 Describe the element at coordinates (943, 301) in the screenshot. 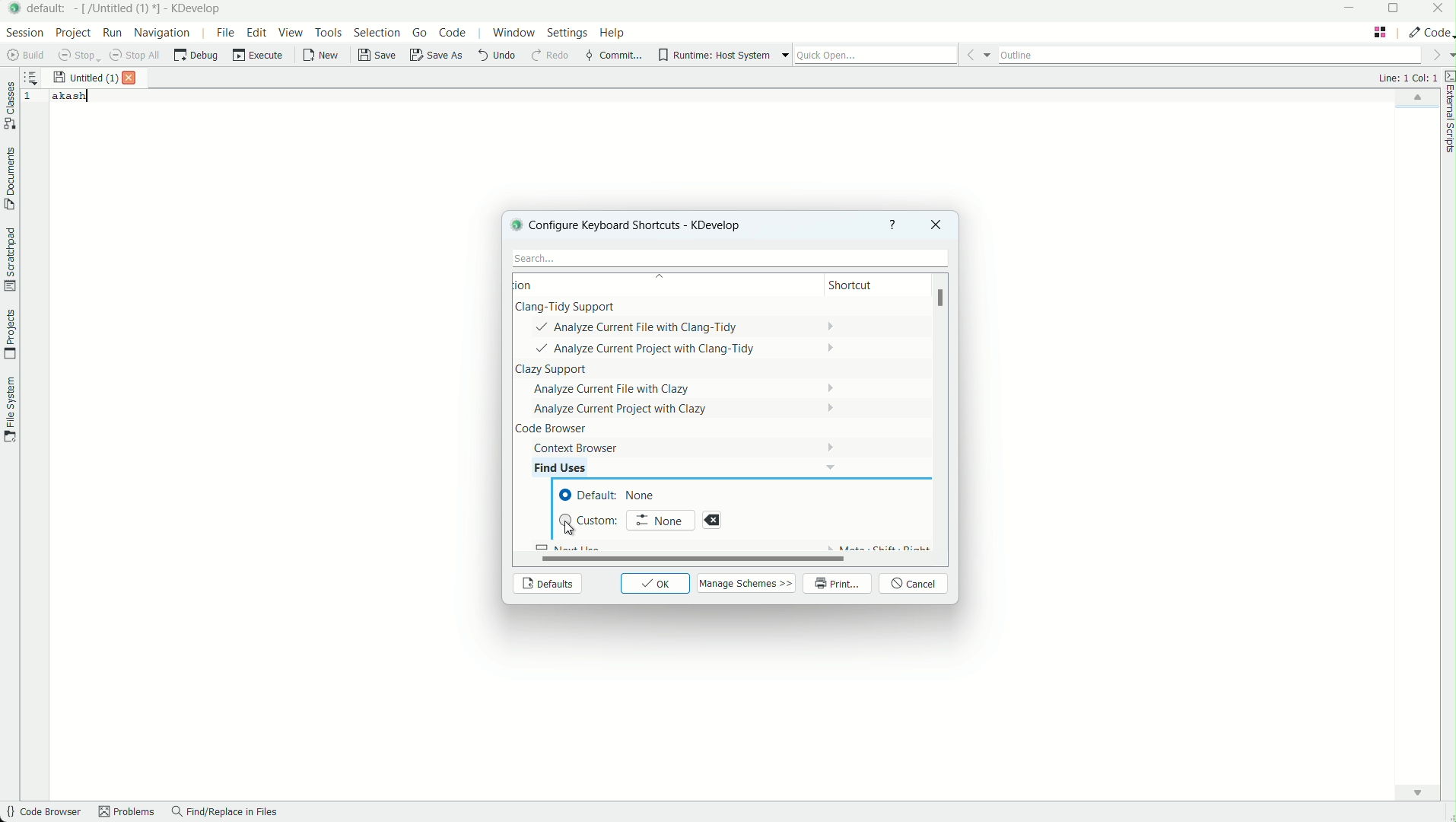

I see `scroll bar` at that location.